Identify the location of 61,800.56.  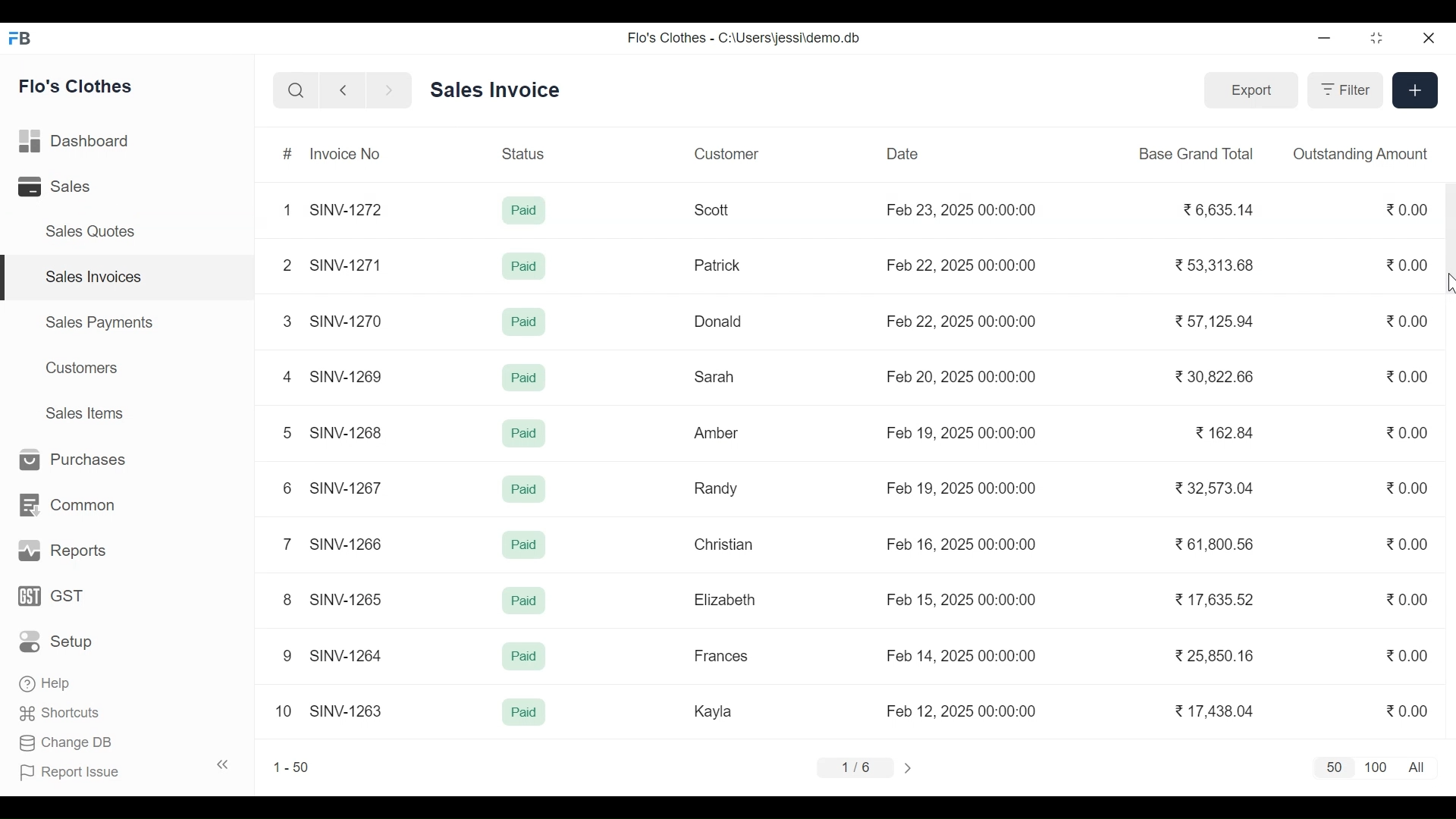
(1213, 544).